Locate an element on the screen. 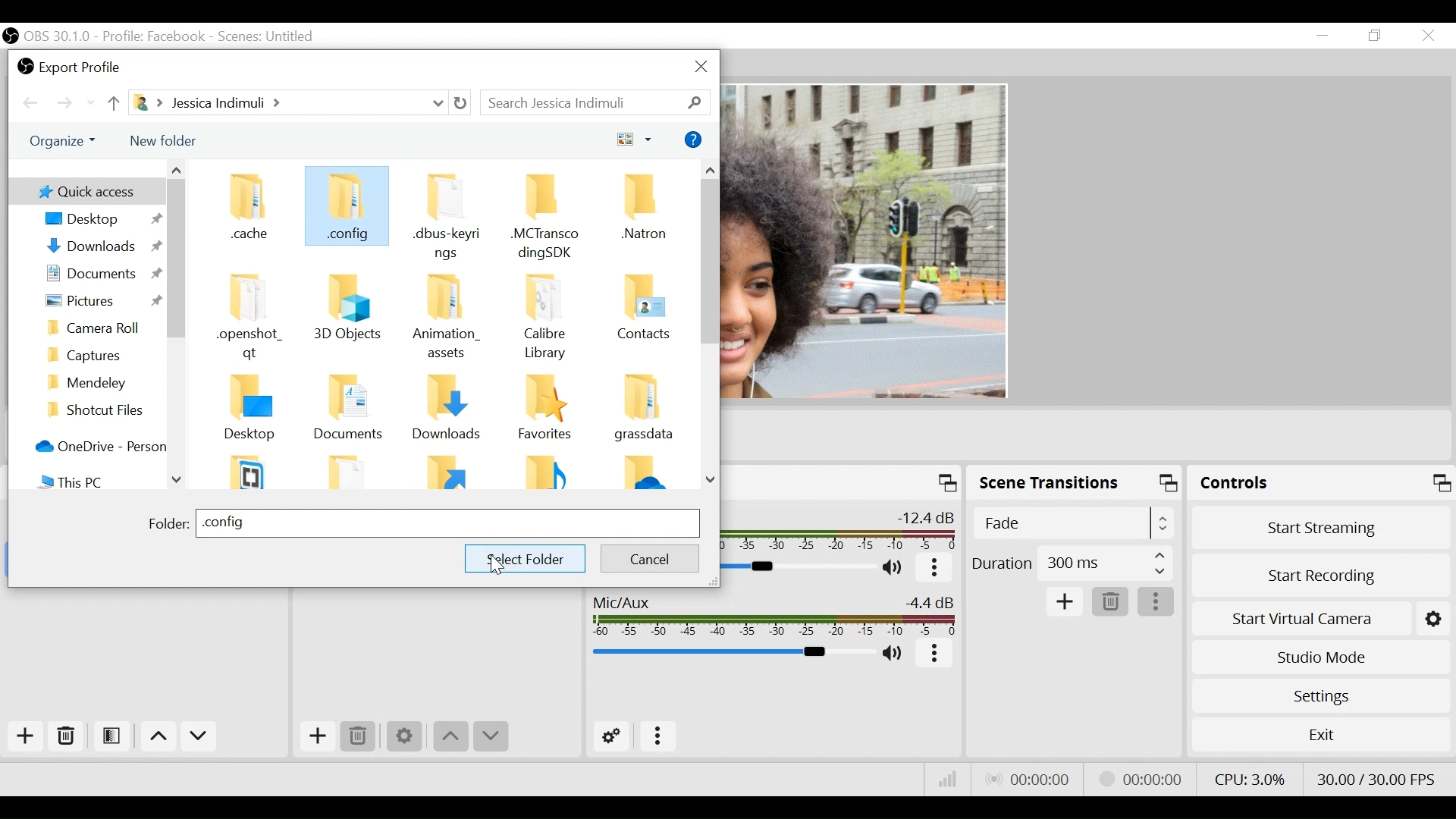 The height and width of the screenshot is (819, 1456). File Path is located at coordinates (288, 104).